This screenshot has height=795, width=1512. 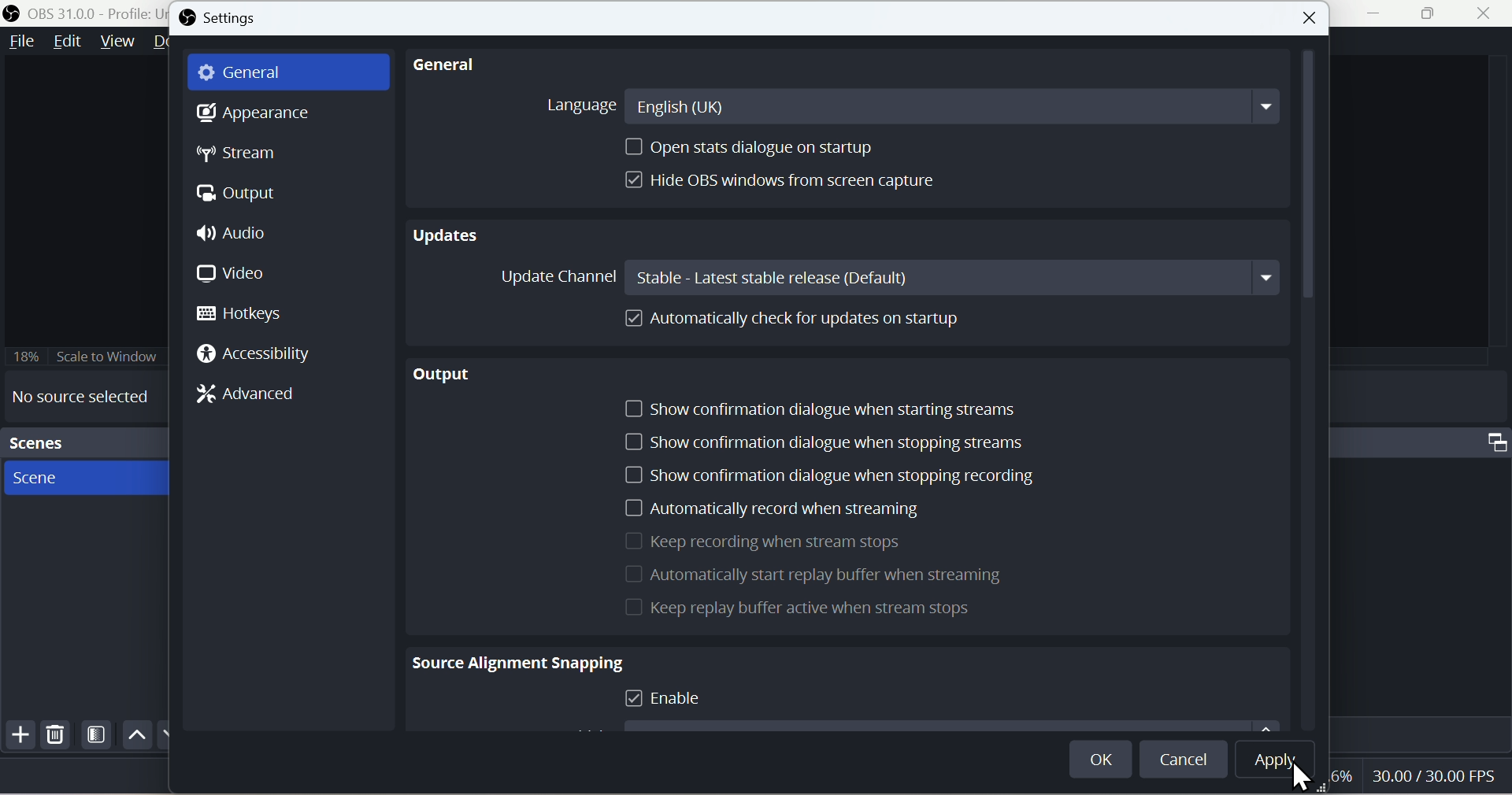 What do you see at coordinates (1492, 444) in the screenshot?
I see `Maximize Window` at bounding box center [1492, 444].